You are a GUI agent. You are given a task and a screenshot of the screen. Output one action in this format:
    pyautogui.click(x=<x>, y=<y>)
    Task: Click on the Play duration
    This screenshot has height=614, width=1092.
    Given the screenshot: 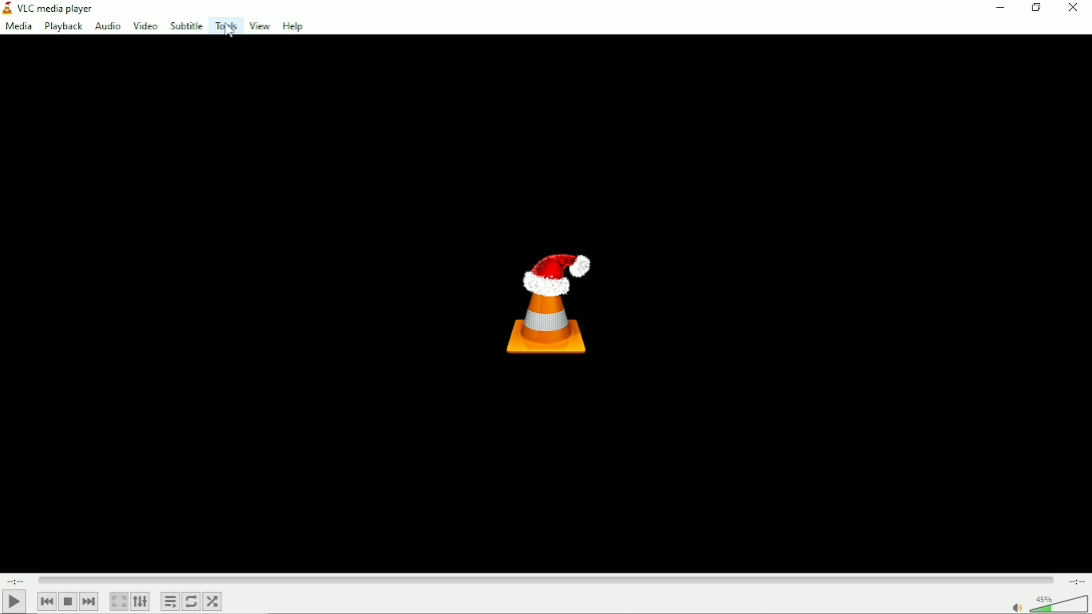 What is the action you would take?
    pyautogui.click(x=546, y=578)
    